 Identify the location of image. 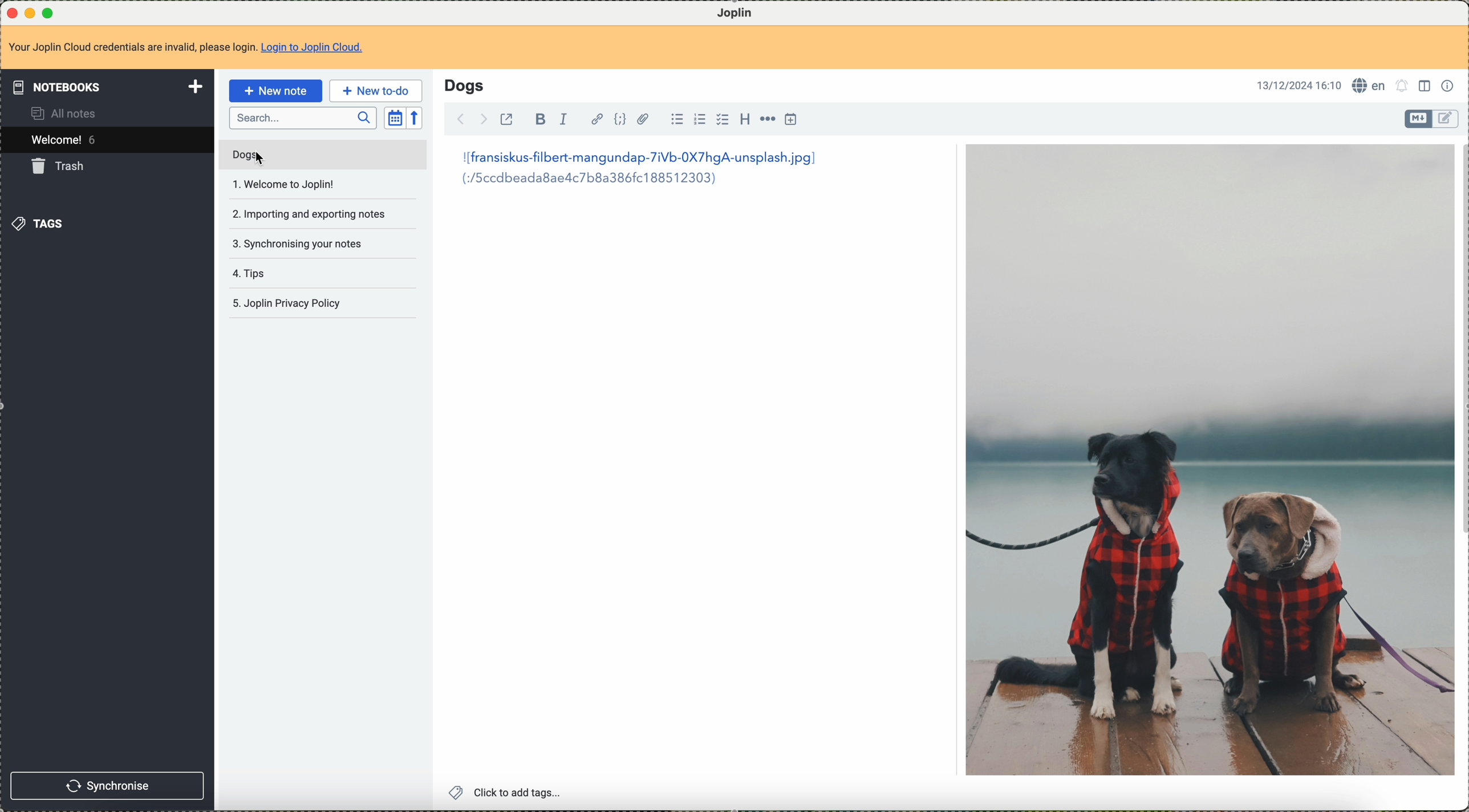
(1208, 460).